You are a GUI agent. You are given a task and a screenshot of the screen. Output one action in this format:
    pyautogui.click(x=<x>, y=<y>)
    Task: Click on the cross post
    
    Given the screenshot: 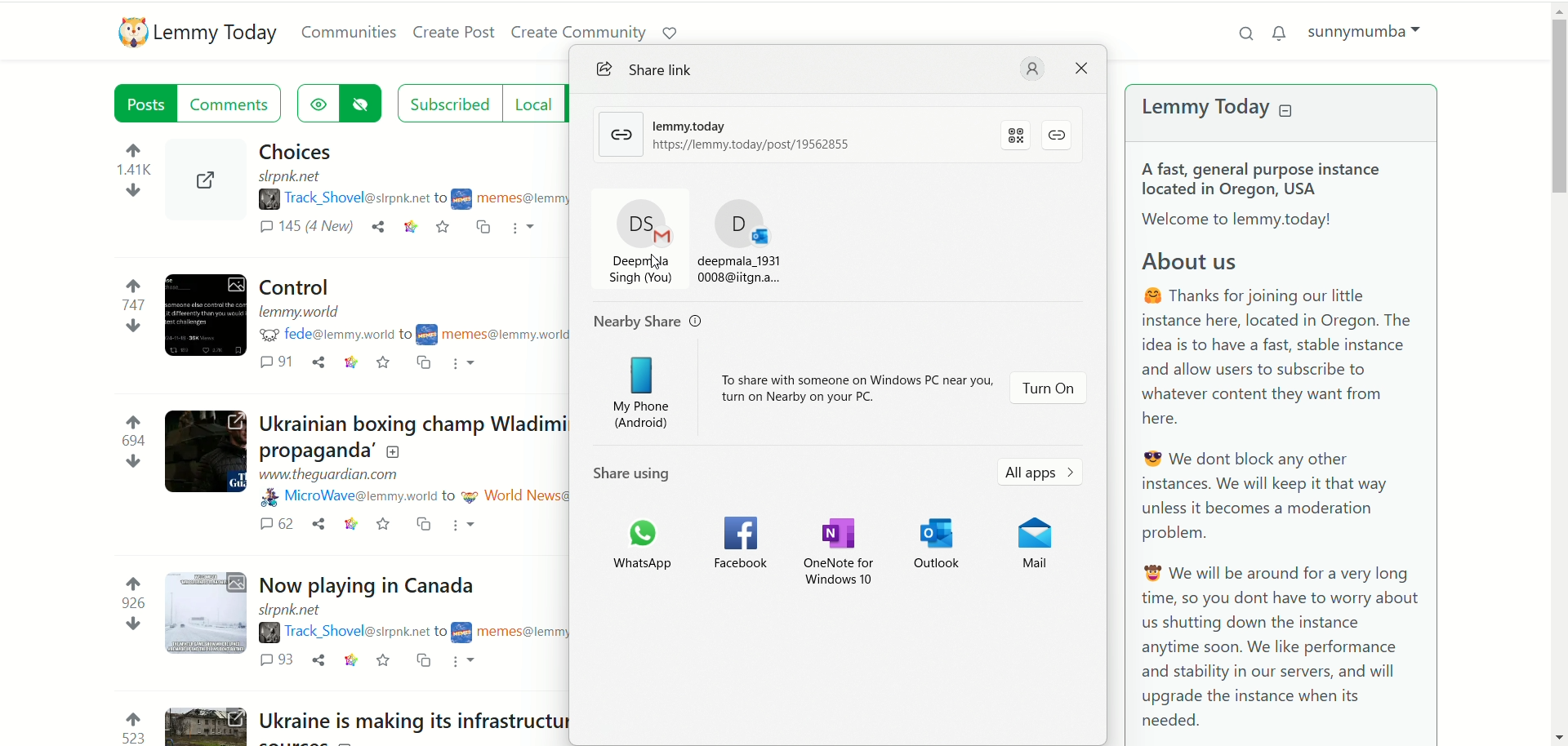 What is the action you would take?
    pyautogui.click(x=421, y=661)
    